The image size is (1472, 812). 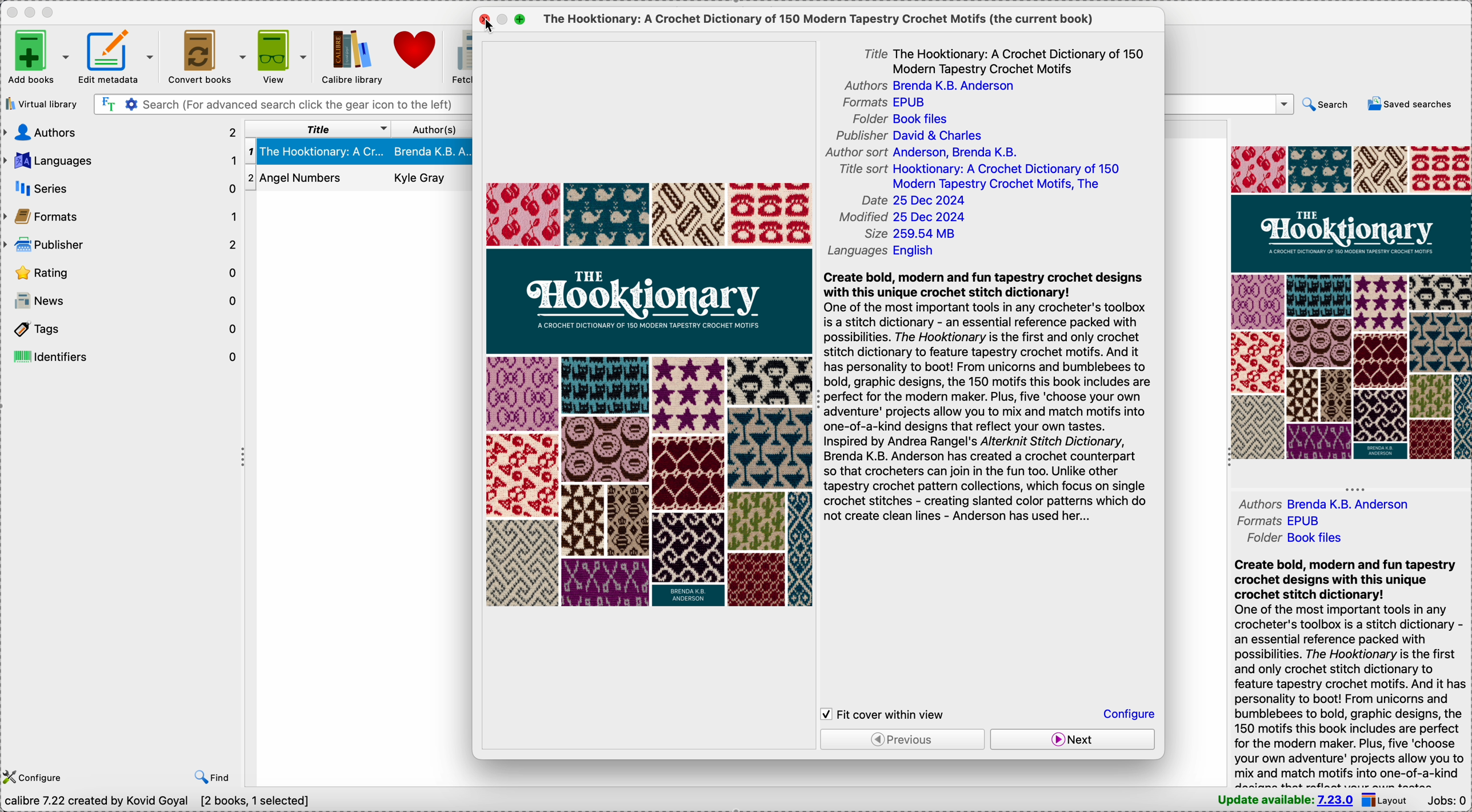 I want to click on modified, so click(x=903, y=218).